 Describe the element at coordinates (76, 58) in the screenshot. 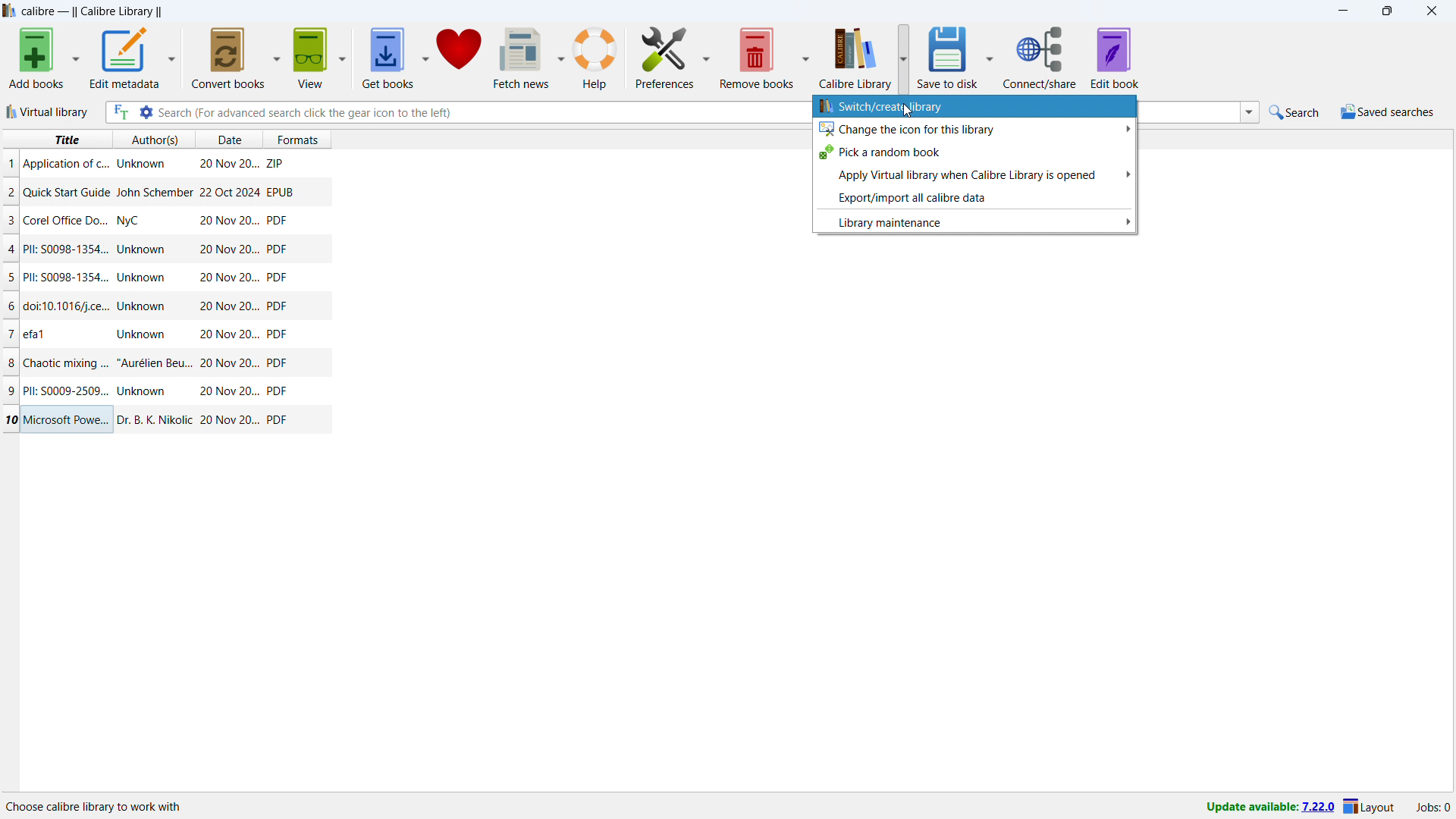

I see `add books options` at that location.